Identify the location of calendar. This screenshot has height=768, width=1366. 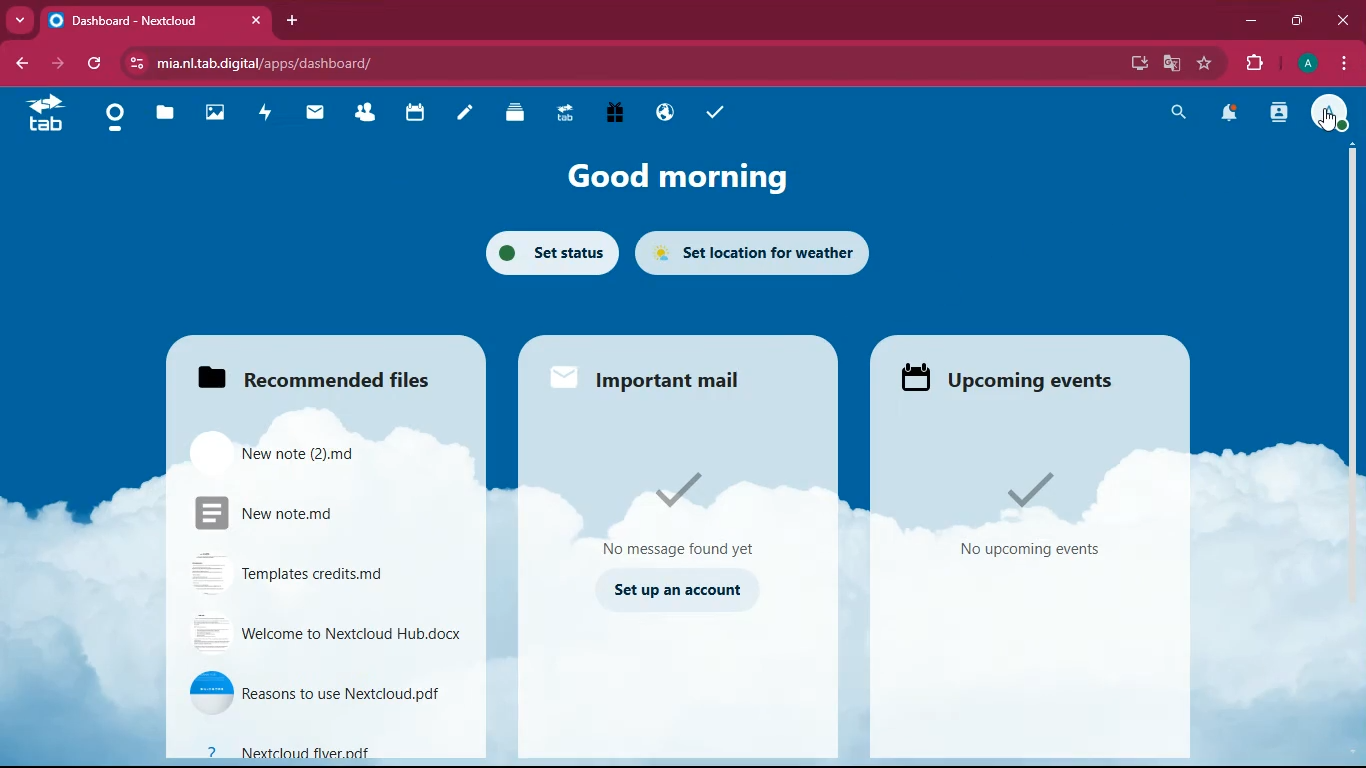
(419, 118).